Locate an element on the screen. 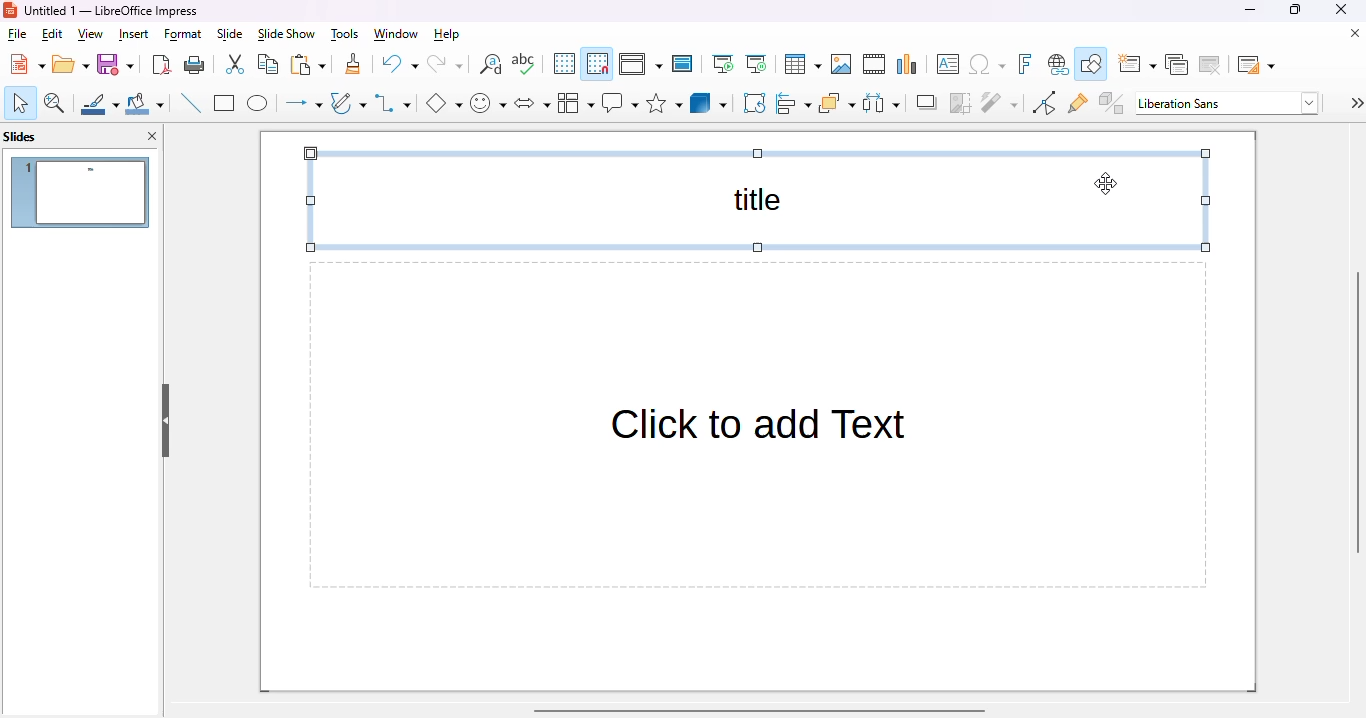 Image resolution: width=1366 pixels, height=718 pixels. check spelling is located at coordinates (523, 63).